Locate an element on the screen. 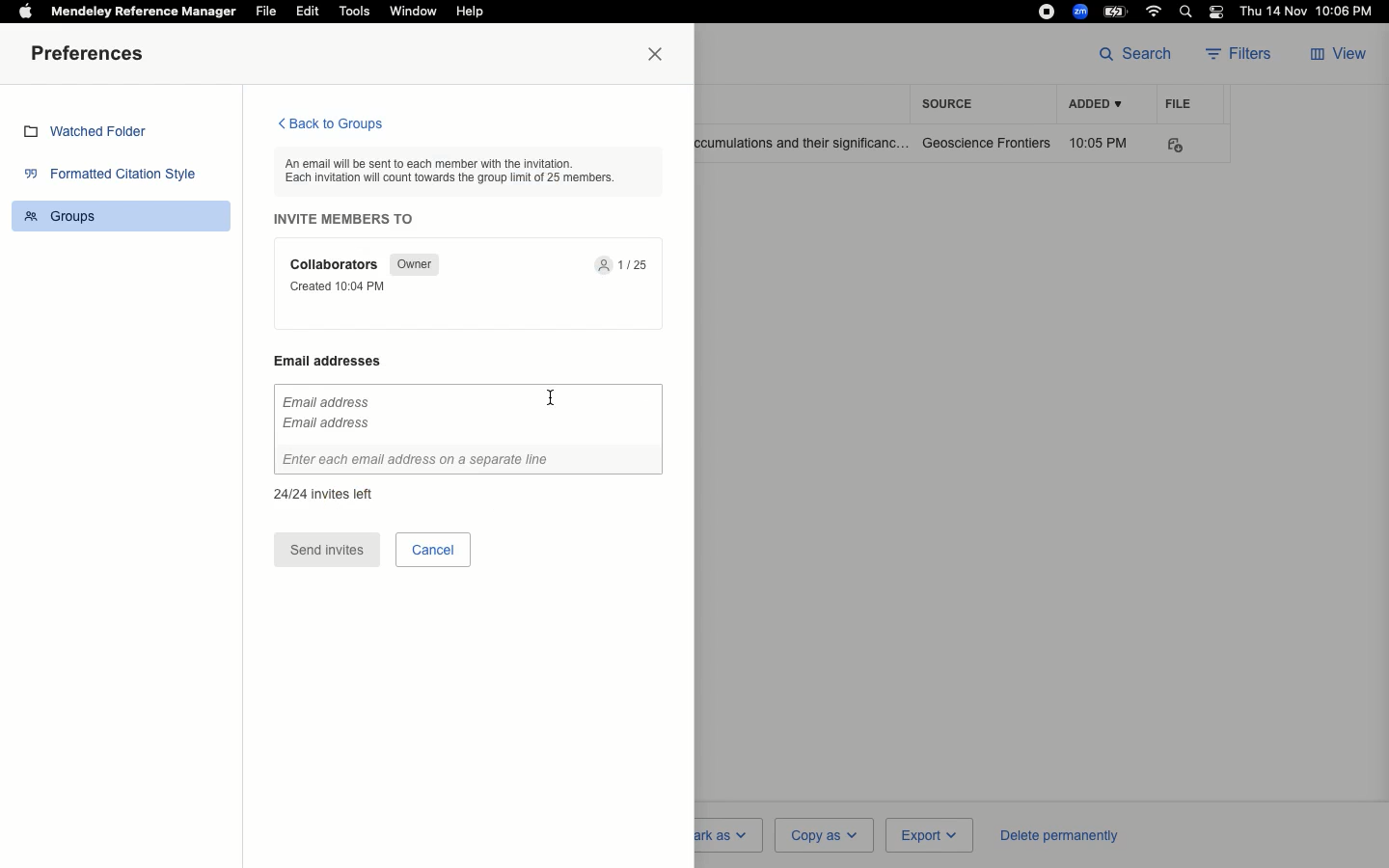 The width and height of the screenshot is (1389, 868). Mendeley reference manager is located at coordinates (145, 12).